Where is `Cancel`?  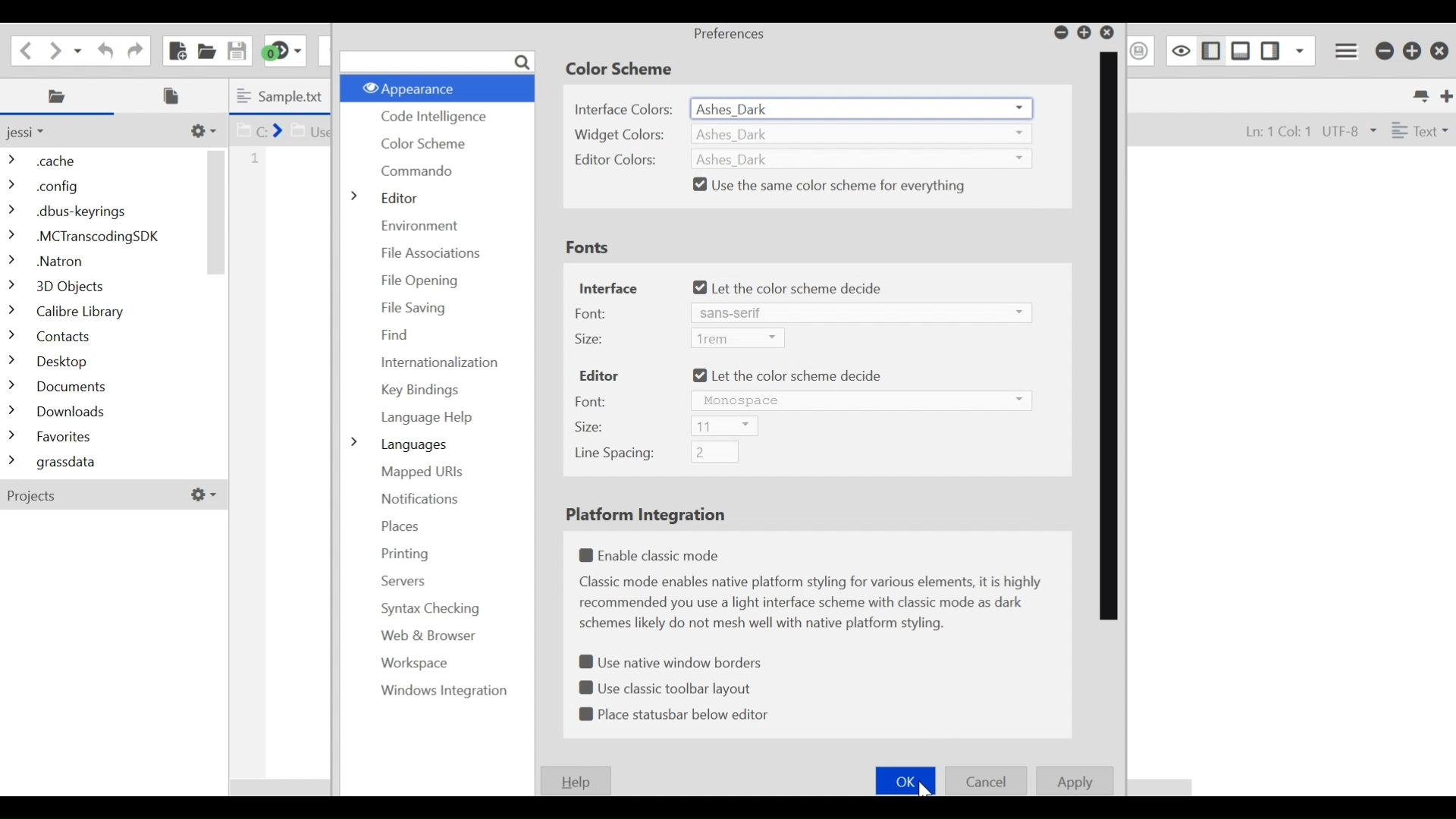
Cancel is located at coordinates (987, 780).